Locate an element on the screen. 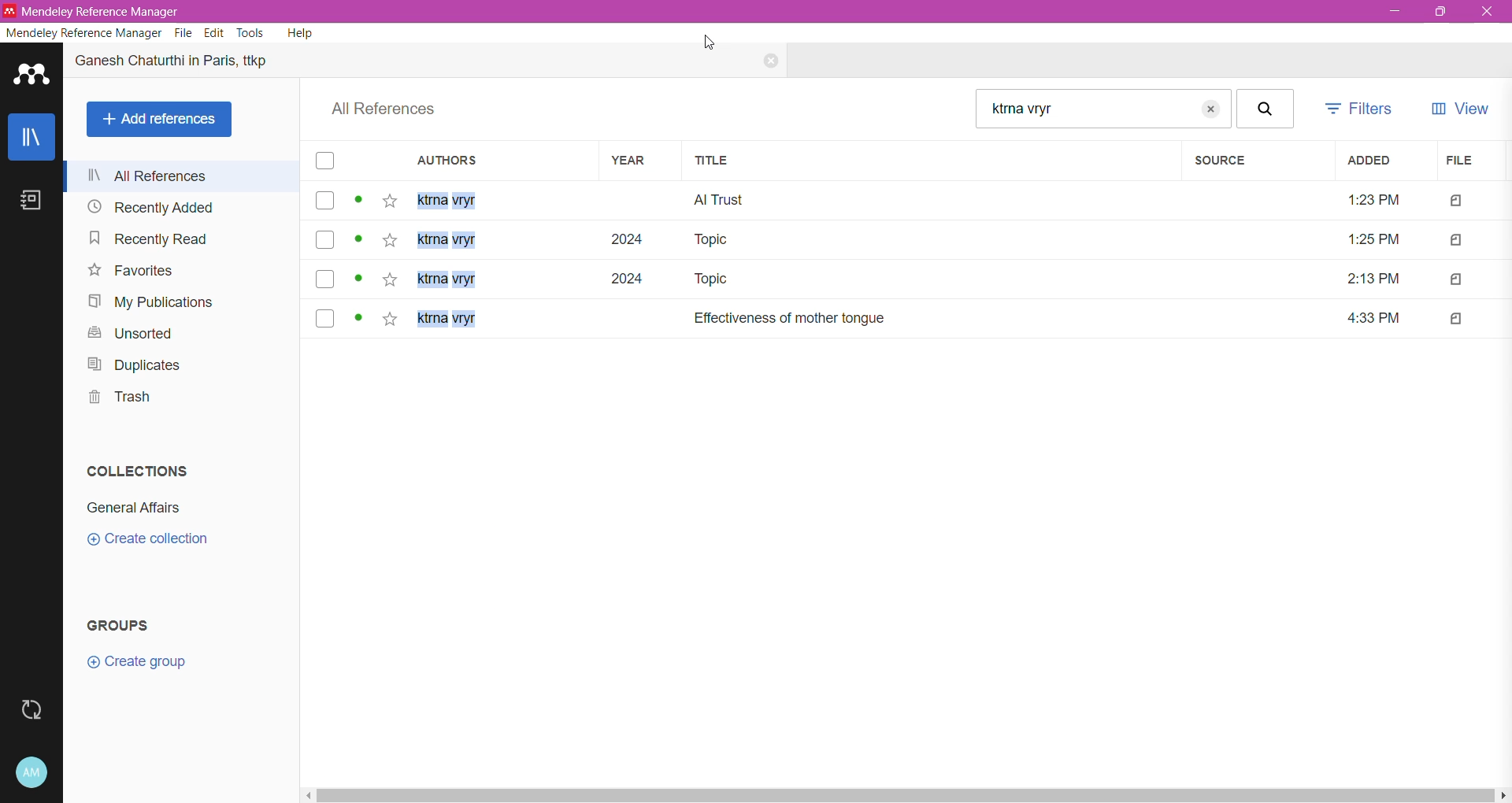  Filters is located at coordinates (1362, 109).